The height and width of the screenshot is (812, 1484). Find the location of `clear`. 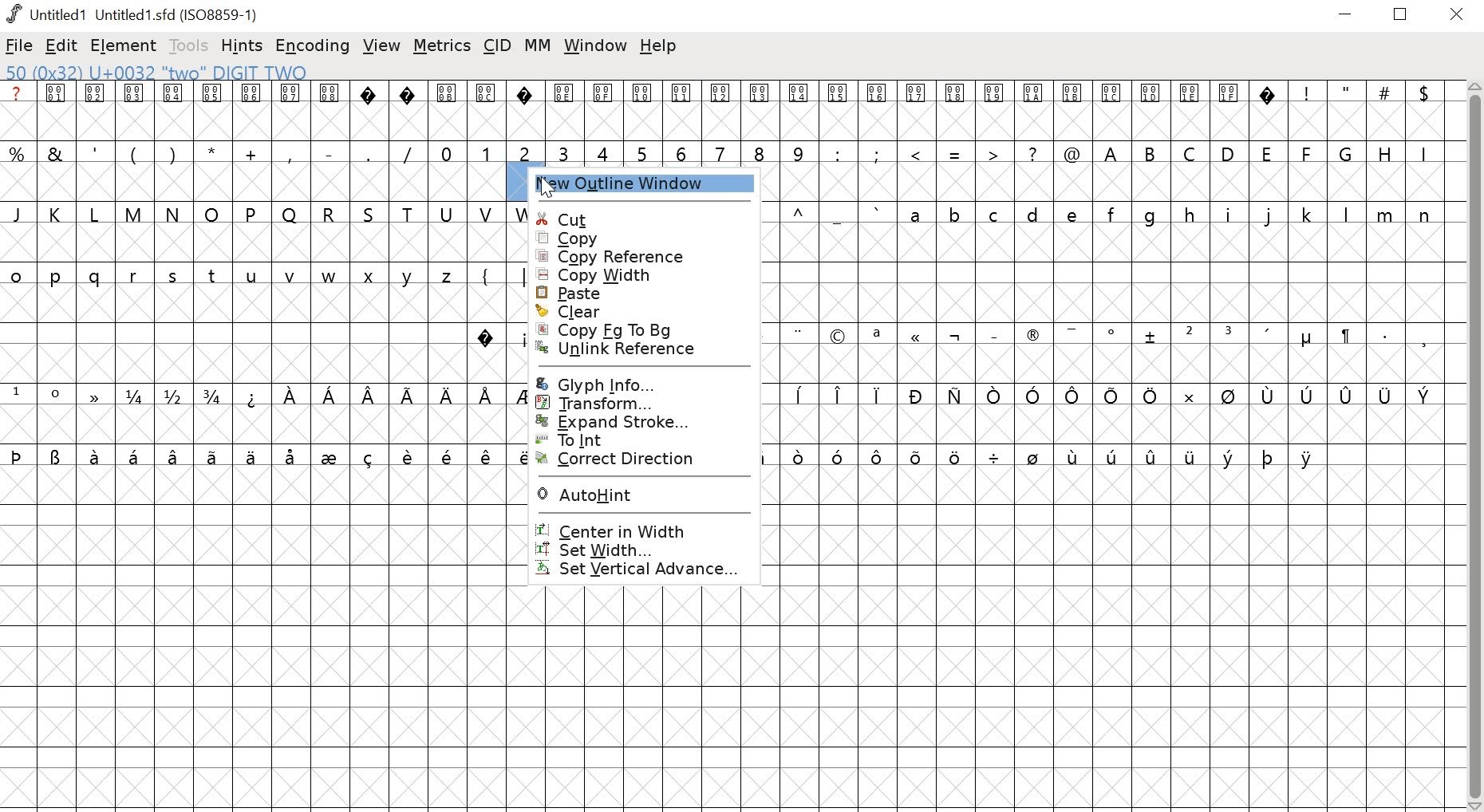

clear is located at coordinates (639, 310).